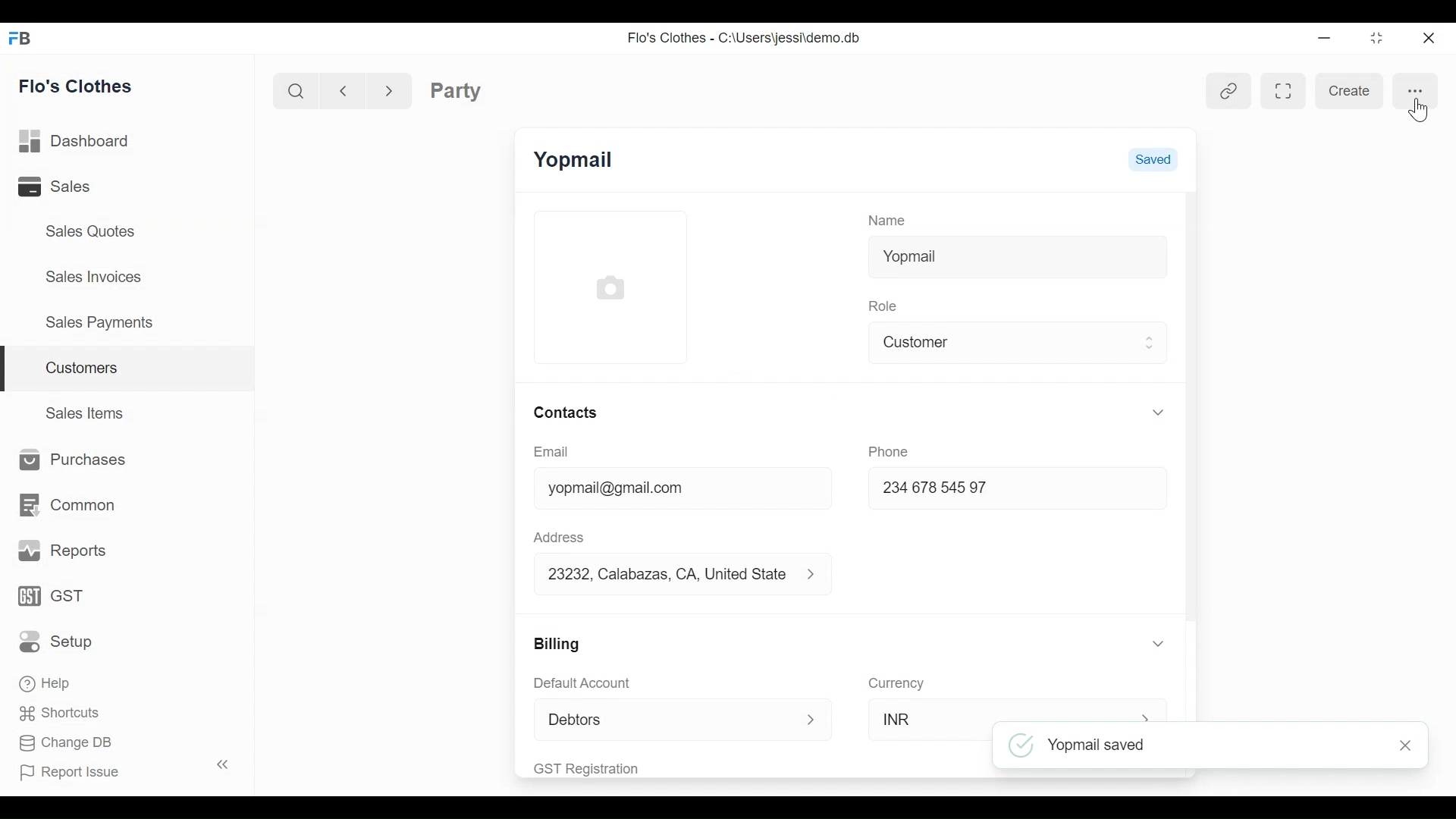  I want to click on Toggle between form and full width view, so click(1282, 90).